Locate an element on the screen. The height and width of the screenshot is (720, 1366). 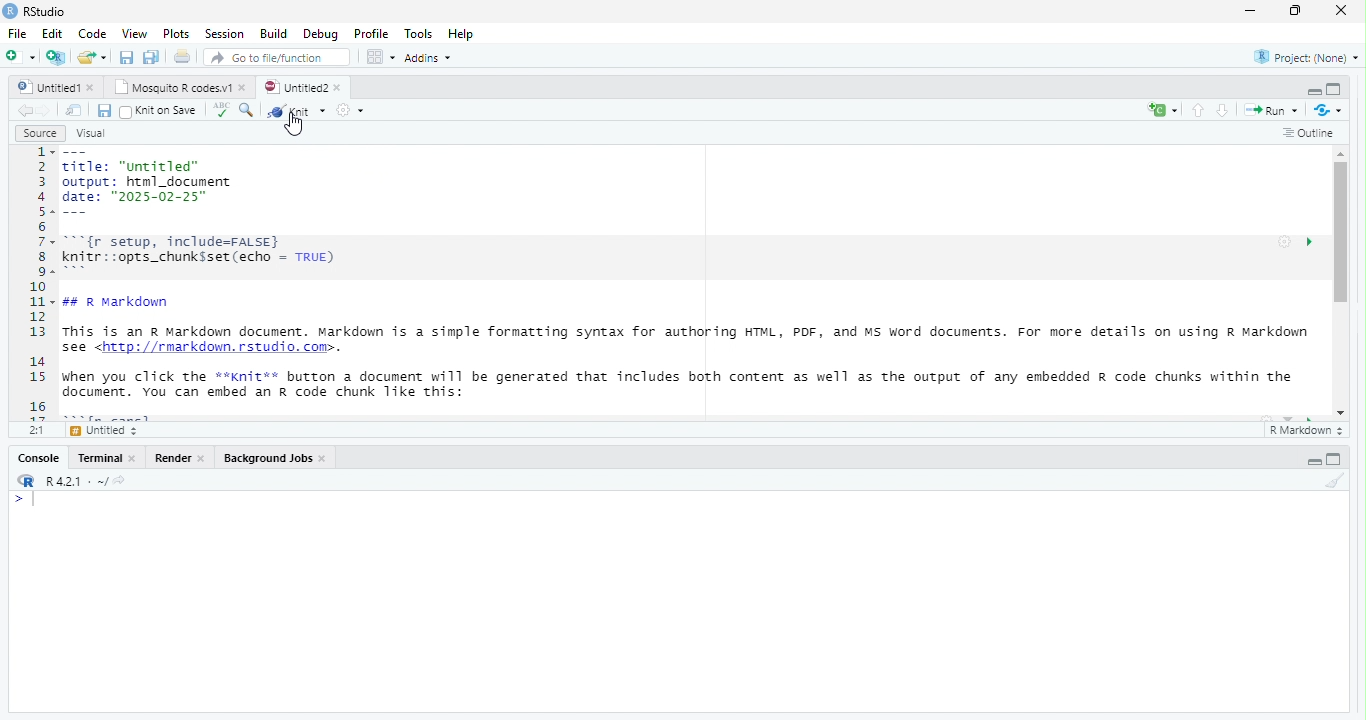
Tools is located at coordinates (419, 34).